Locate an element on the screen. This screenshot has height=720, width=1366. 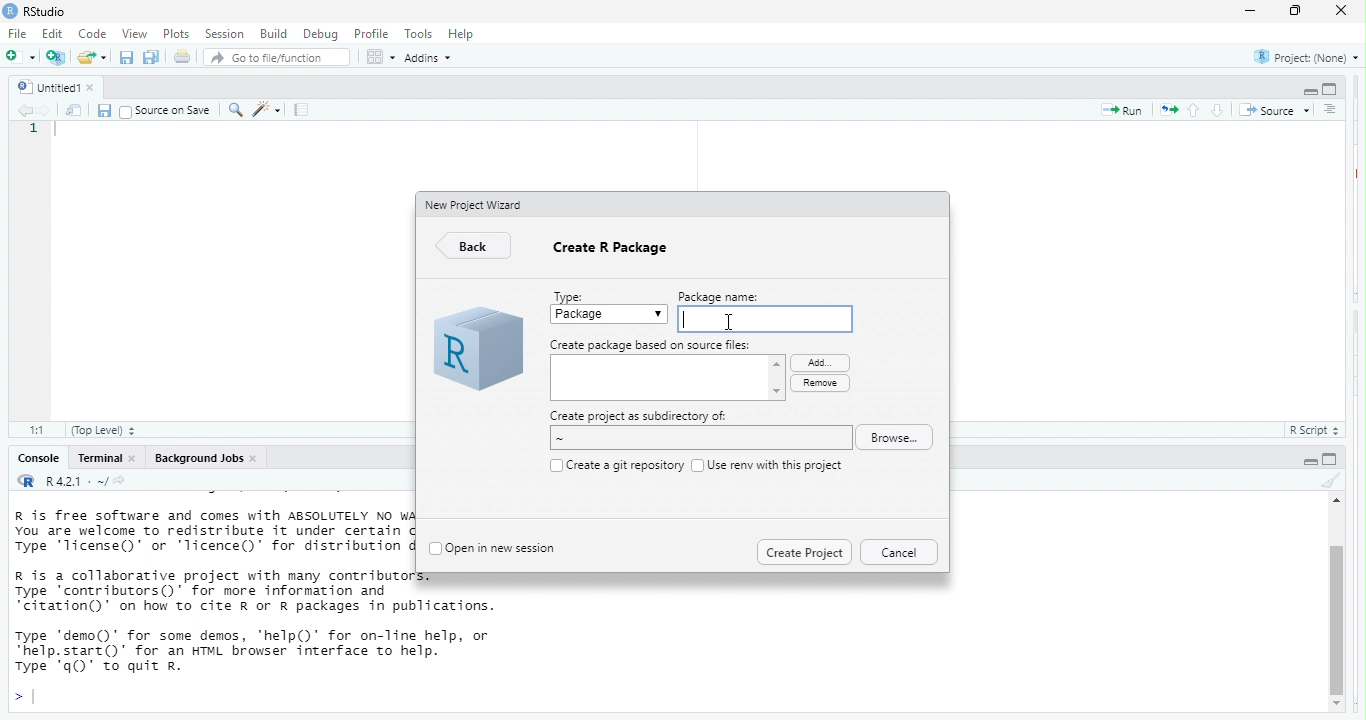
save current document is located at coordinates (126, 57).